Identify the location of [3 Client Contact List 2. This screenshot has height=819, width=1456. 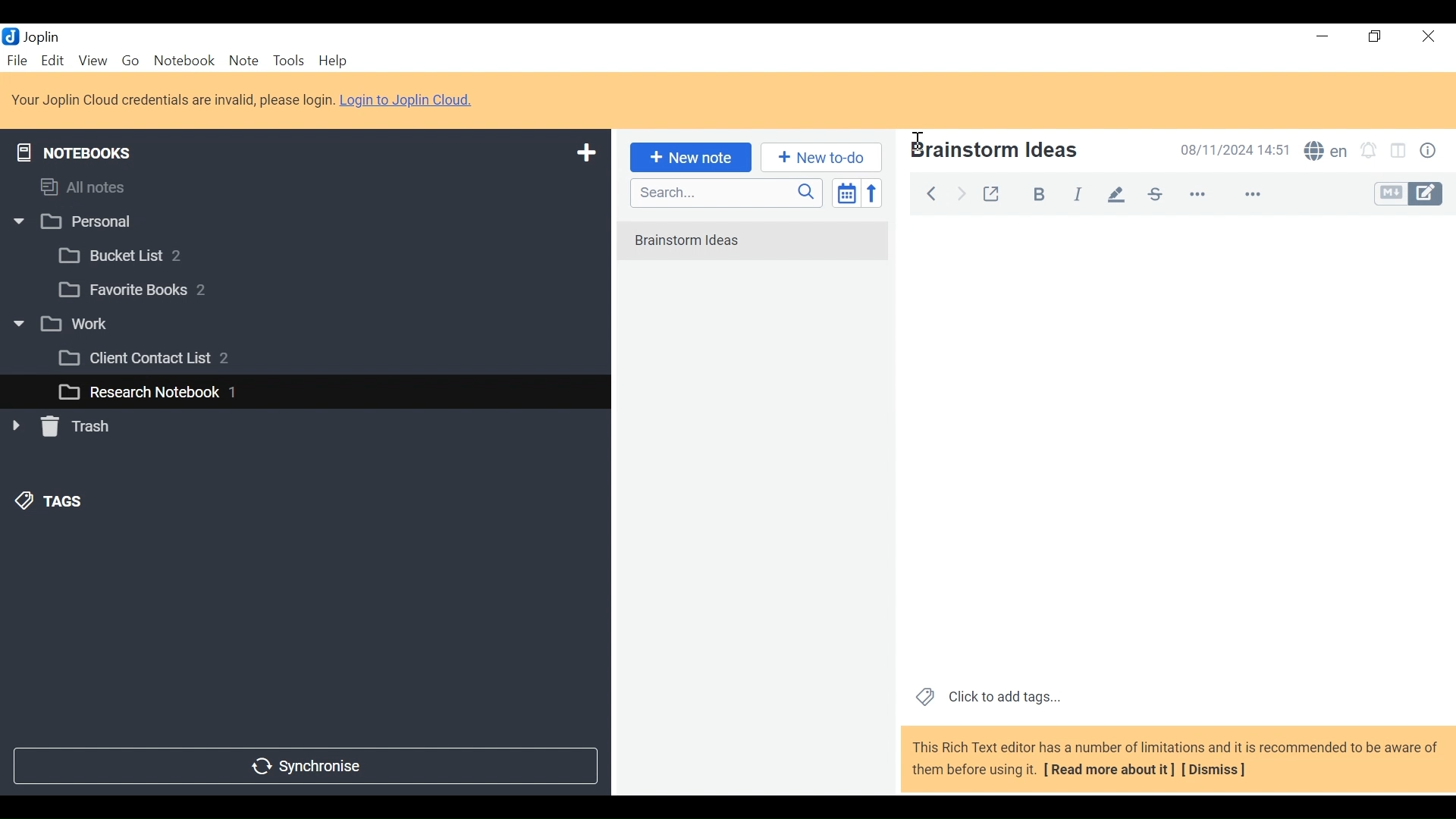
(166, 362).